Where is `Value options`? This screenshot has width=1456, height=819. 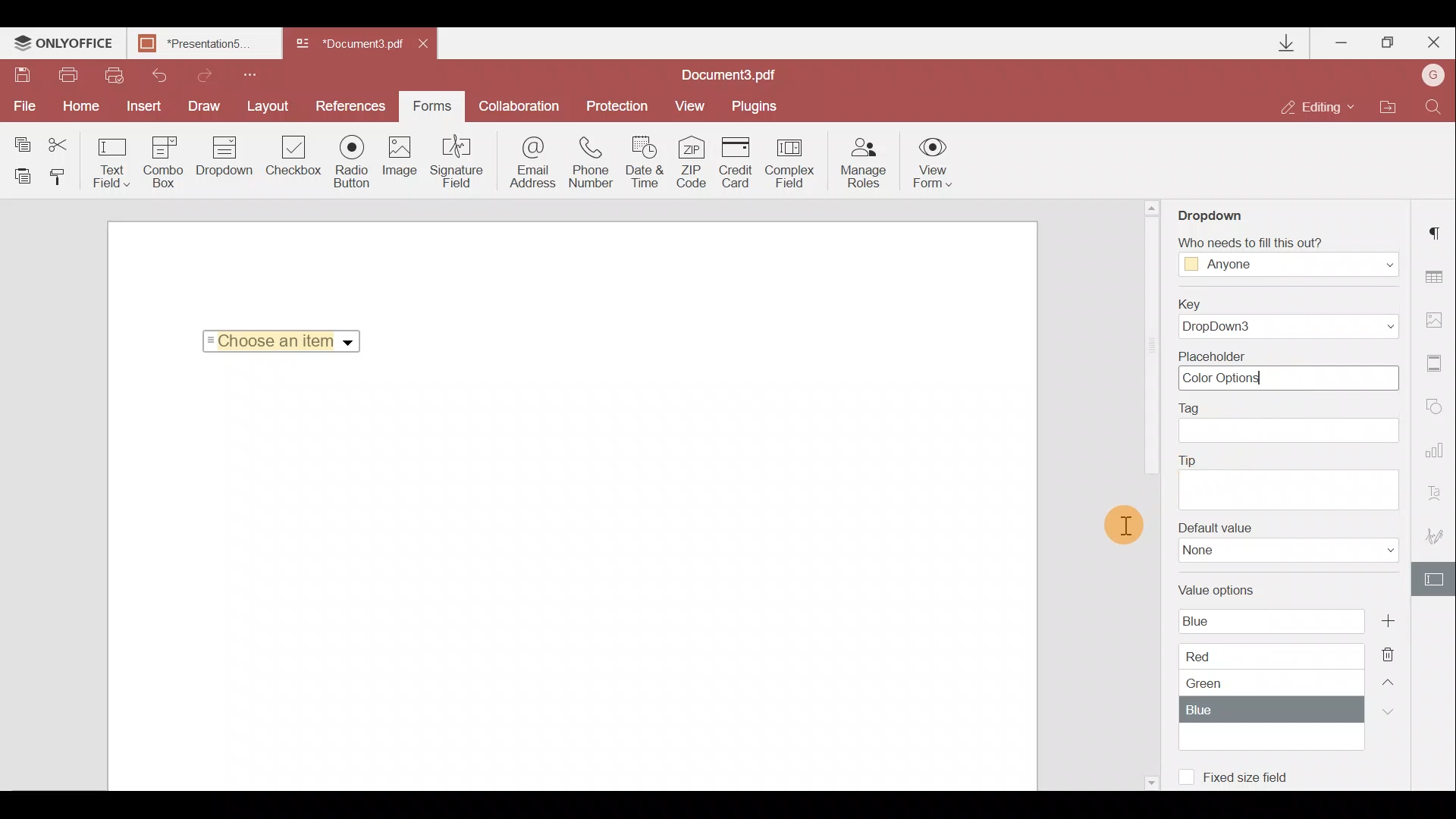
Value options is located at coordinates (1269, 663).